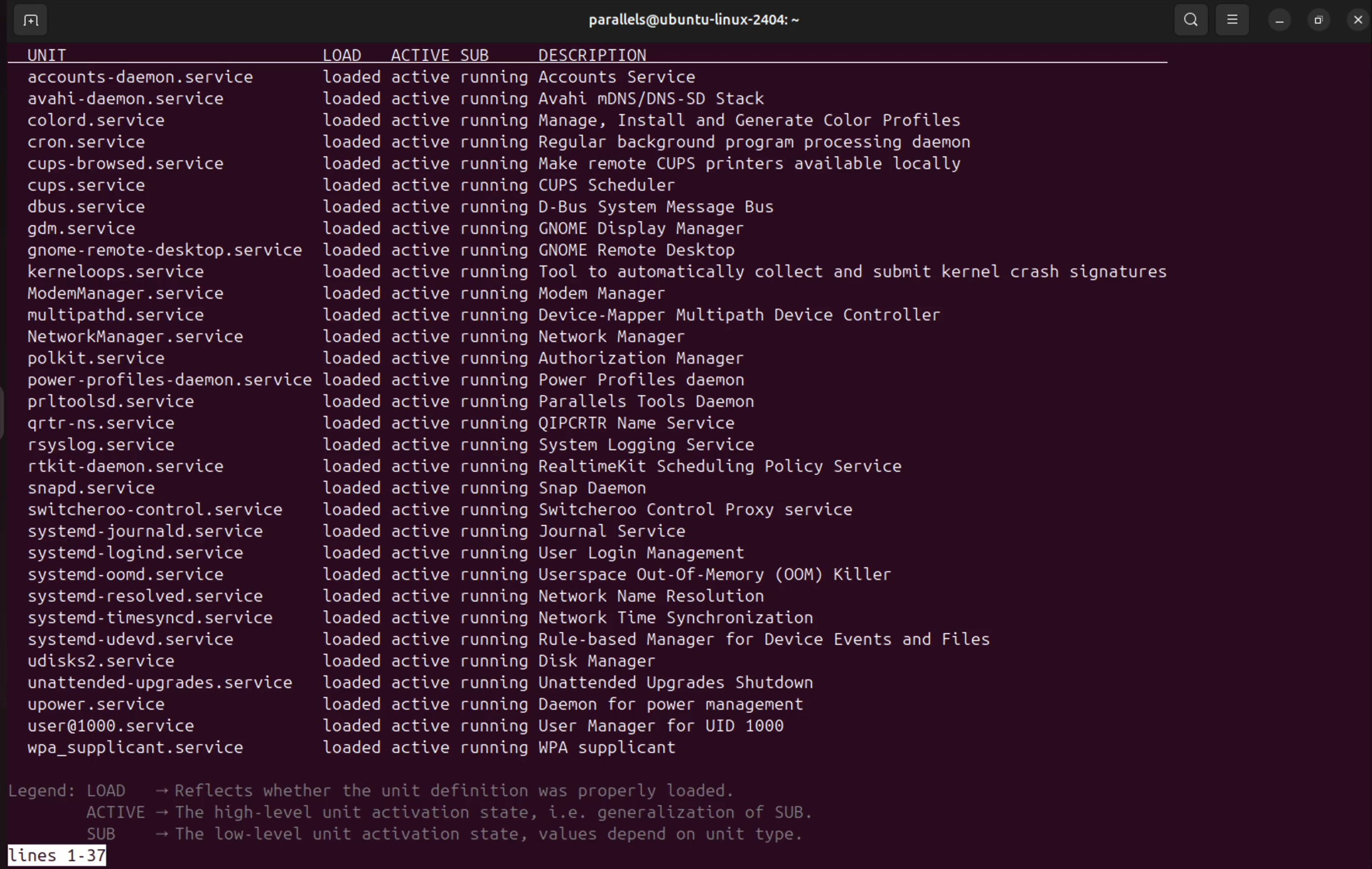 Image resolution: width=1372 pixels, height=869 pixels. Describe the element at coordinates (685, 166) in the screenshot. I see `active running make remote cups` at that location.